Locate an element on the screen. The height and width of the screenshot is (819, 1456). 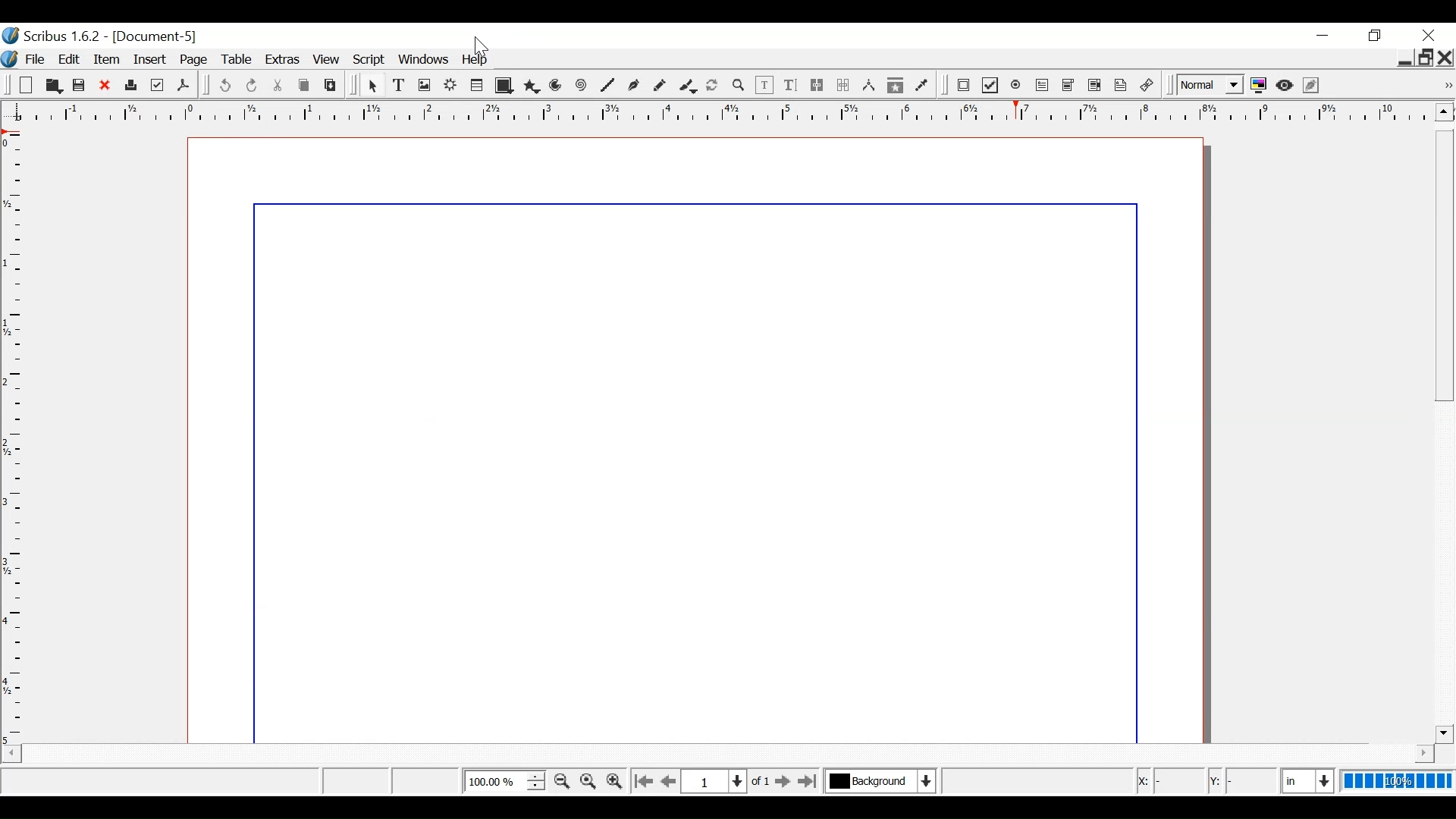
Insert  is located at coordinates (152, 60).